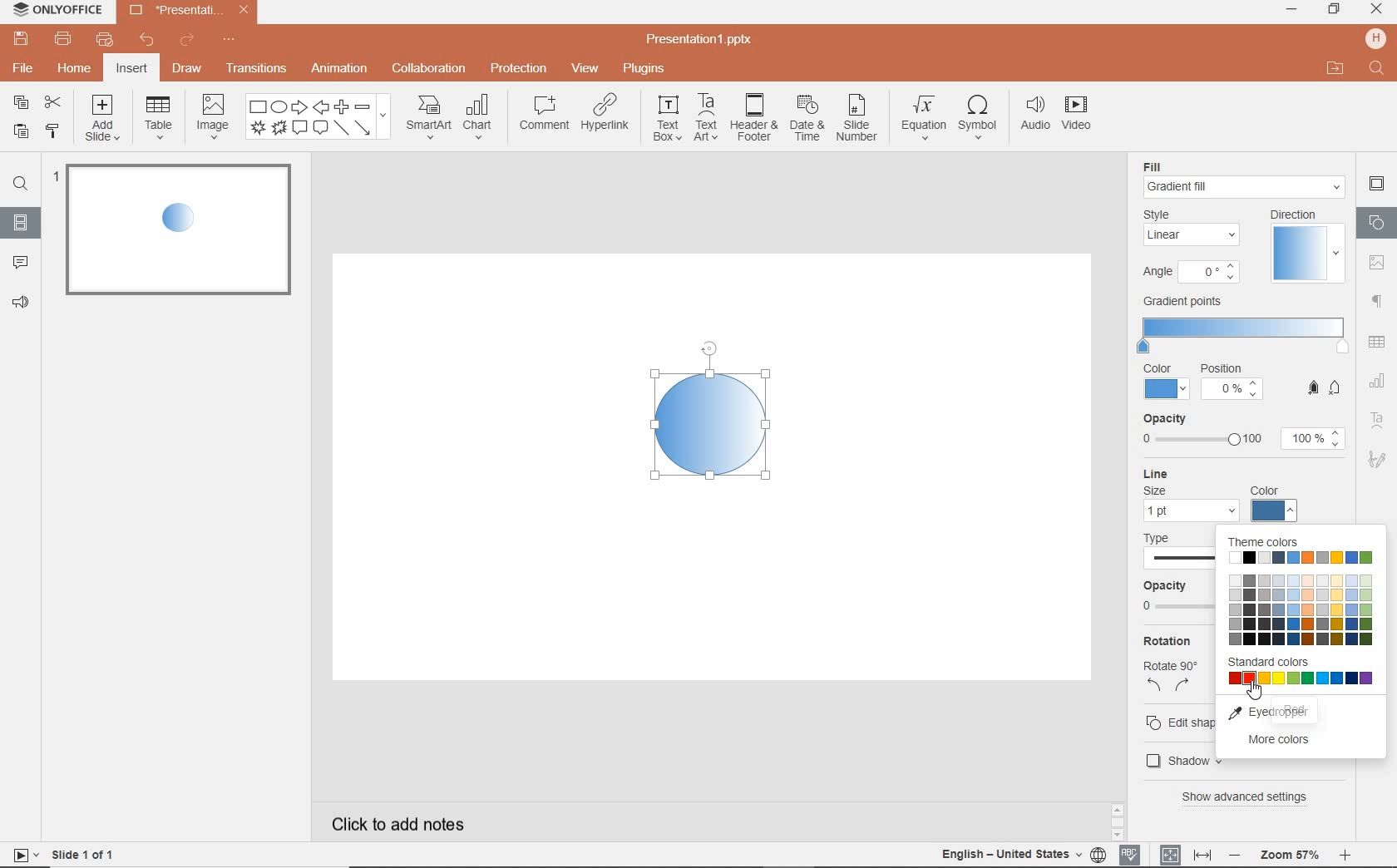 This screenshot has height=868, width=1397. I want to click on scrollbar, so click(1117, 817).